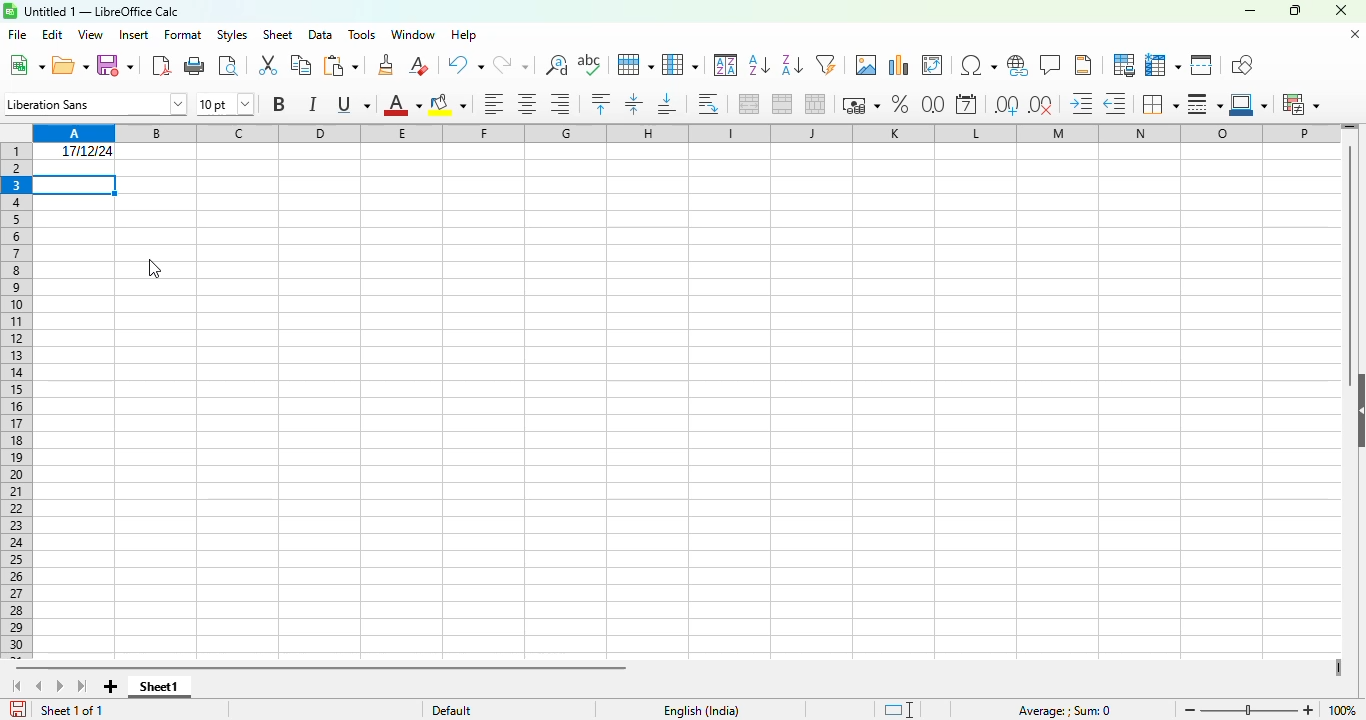  What do you see at coordinates (111, 687) in the screenshot?
I see `add new page` at bounding box center [111, 687].